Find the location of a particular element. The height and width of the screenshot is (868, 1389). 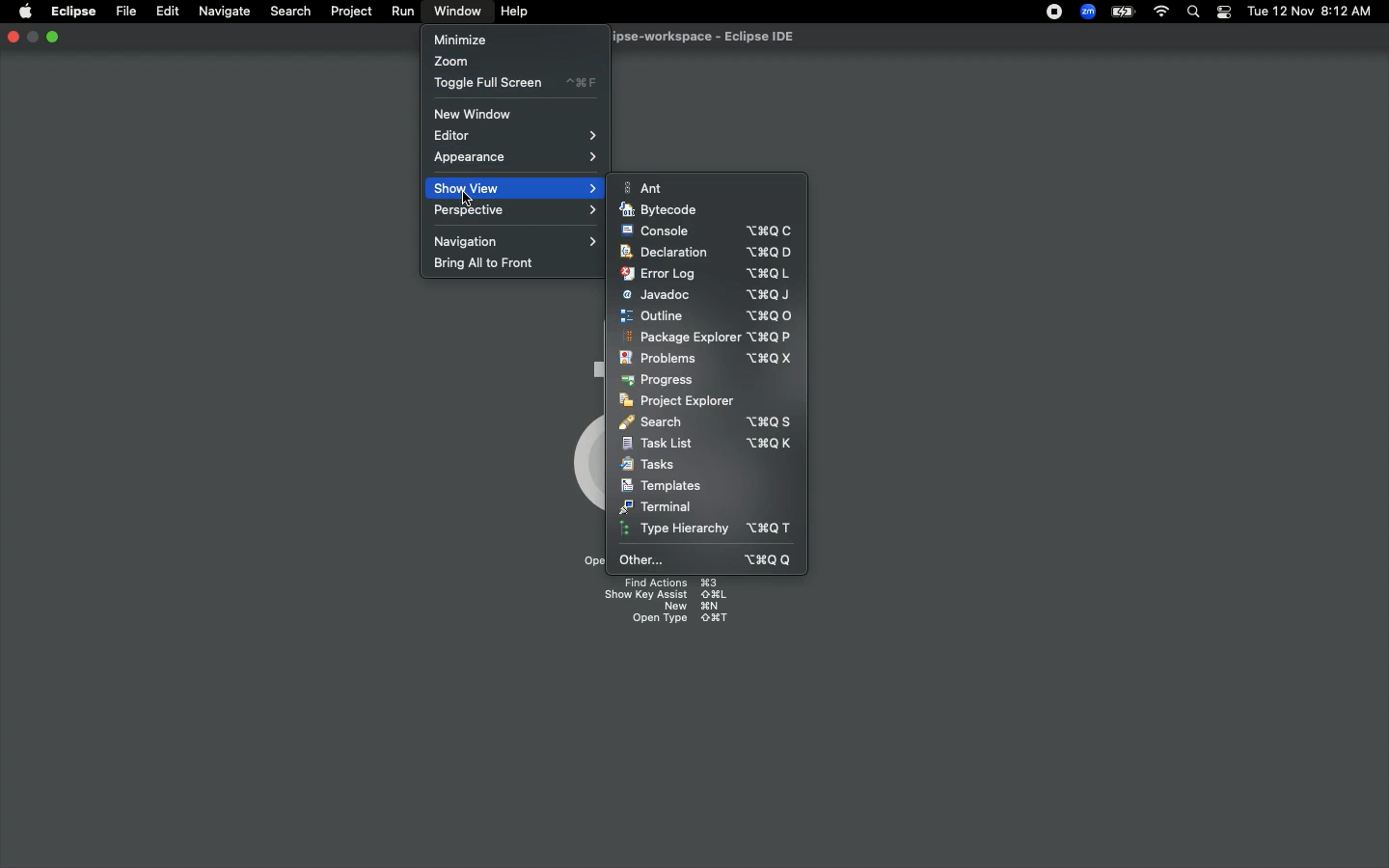

Bytecode is located at coordinates (664, 207).